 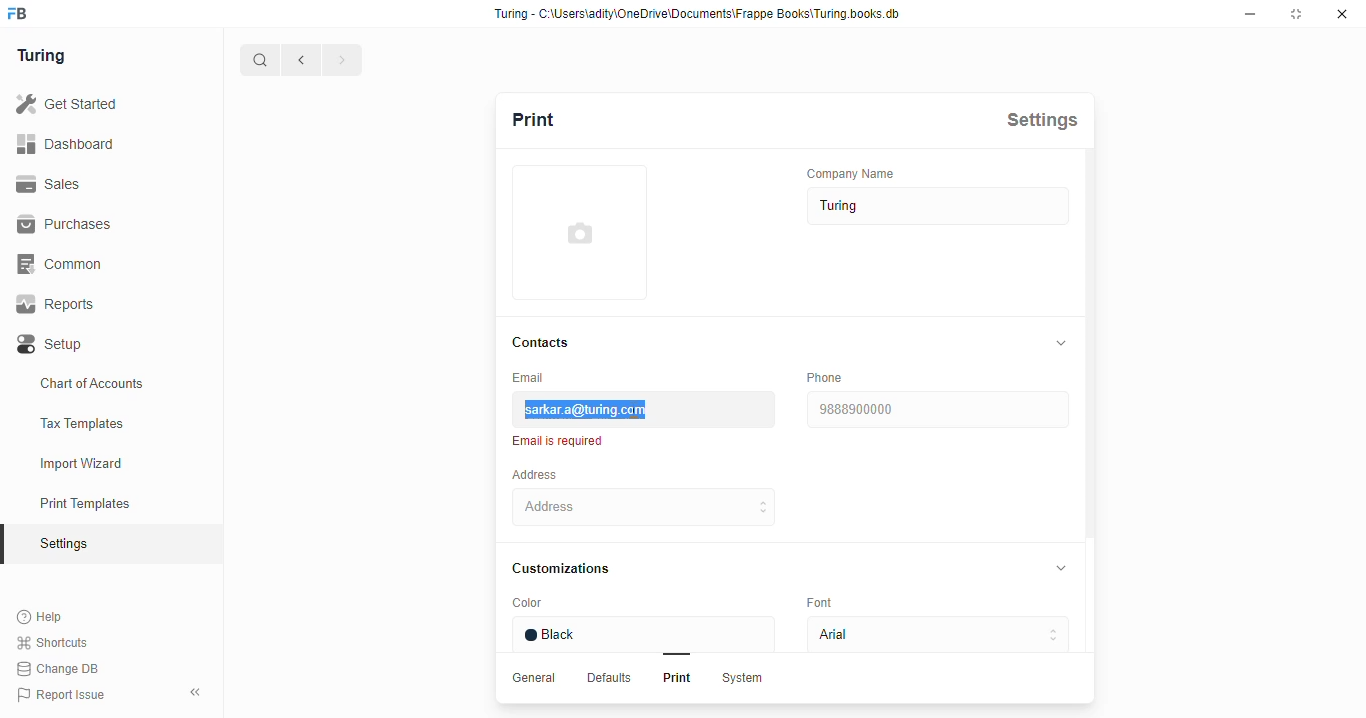 I want to click on close, so click(x=1345, y=15).